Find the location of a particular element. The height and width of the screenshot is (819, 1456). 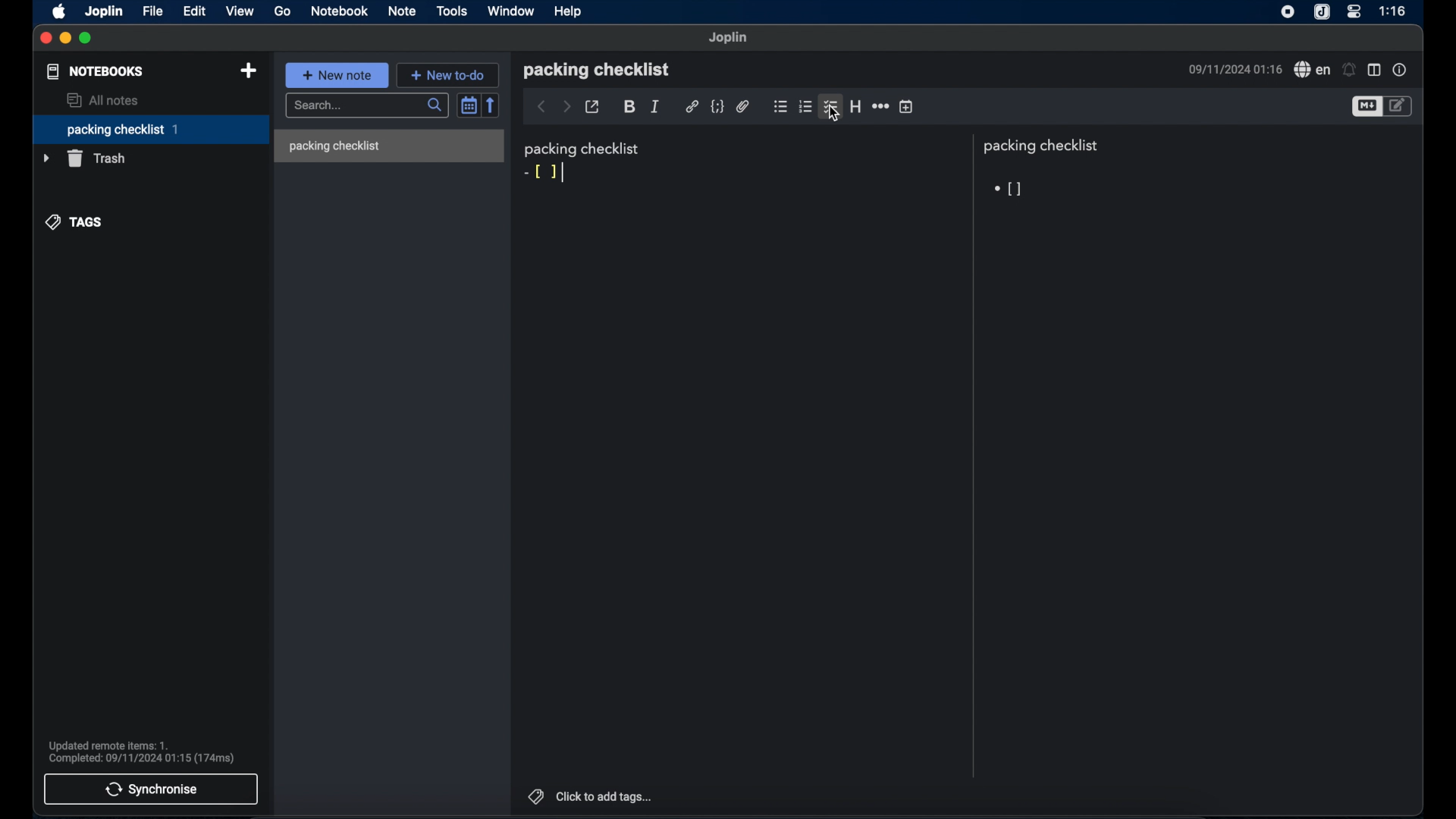

minimize is located at coordinates (65, 39).